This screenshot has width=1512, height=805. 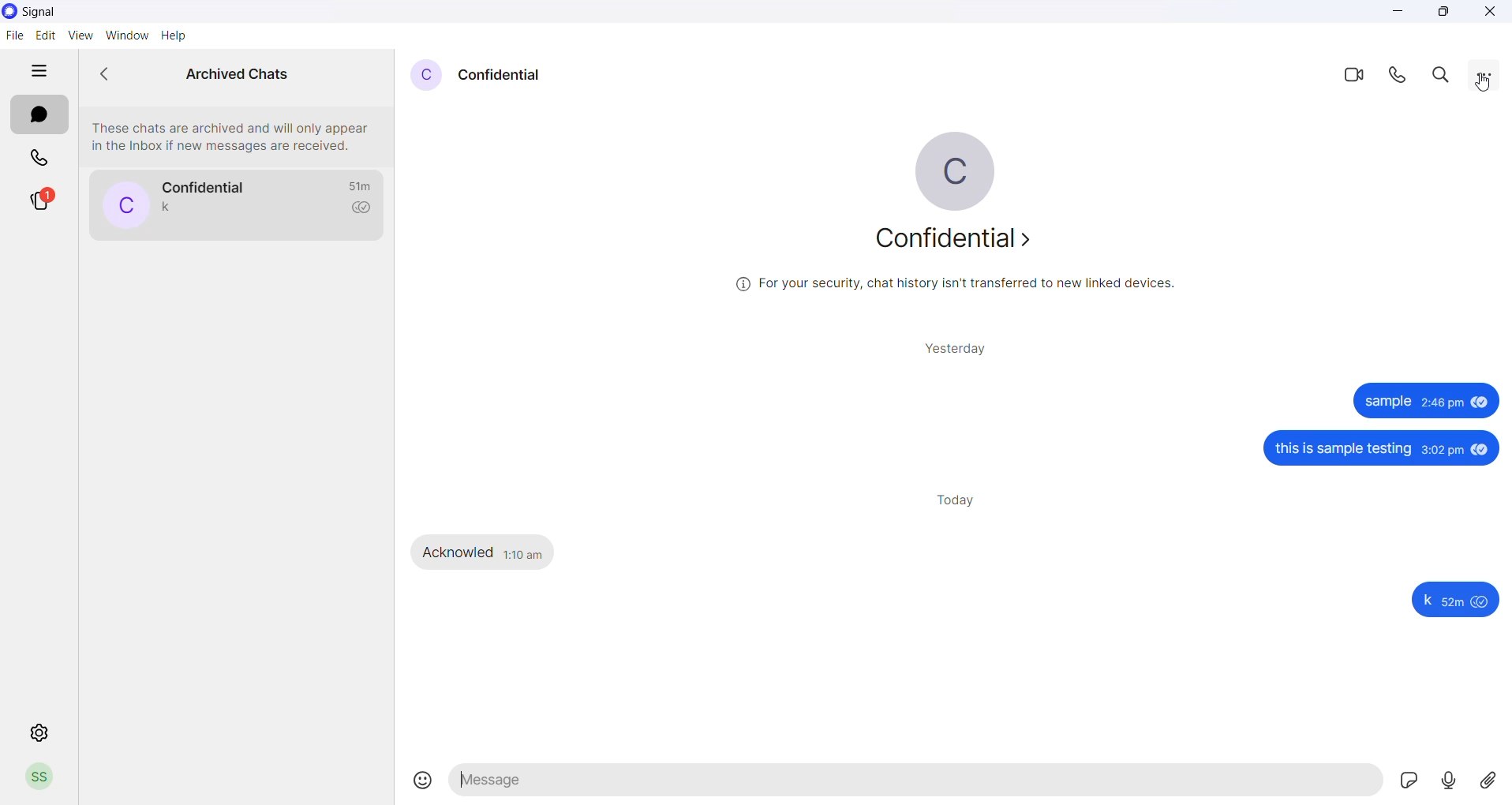 What do you see at coordinates (165, 208) in the screenshot?
I see `last message` at bounding box center [165, 208].